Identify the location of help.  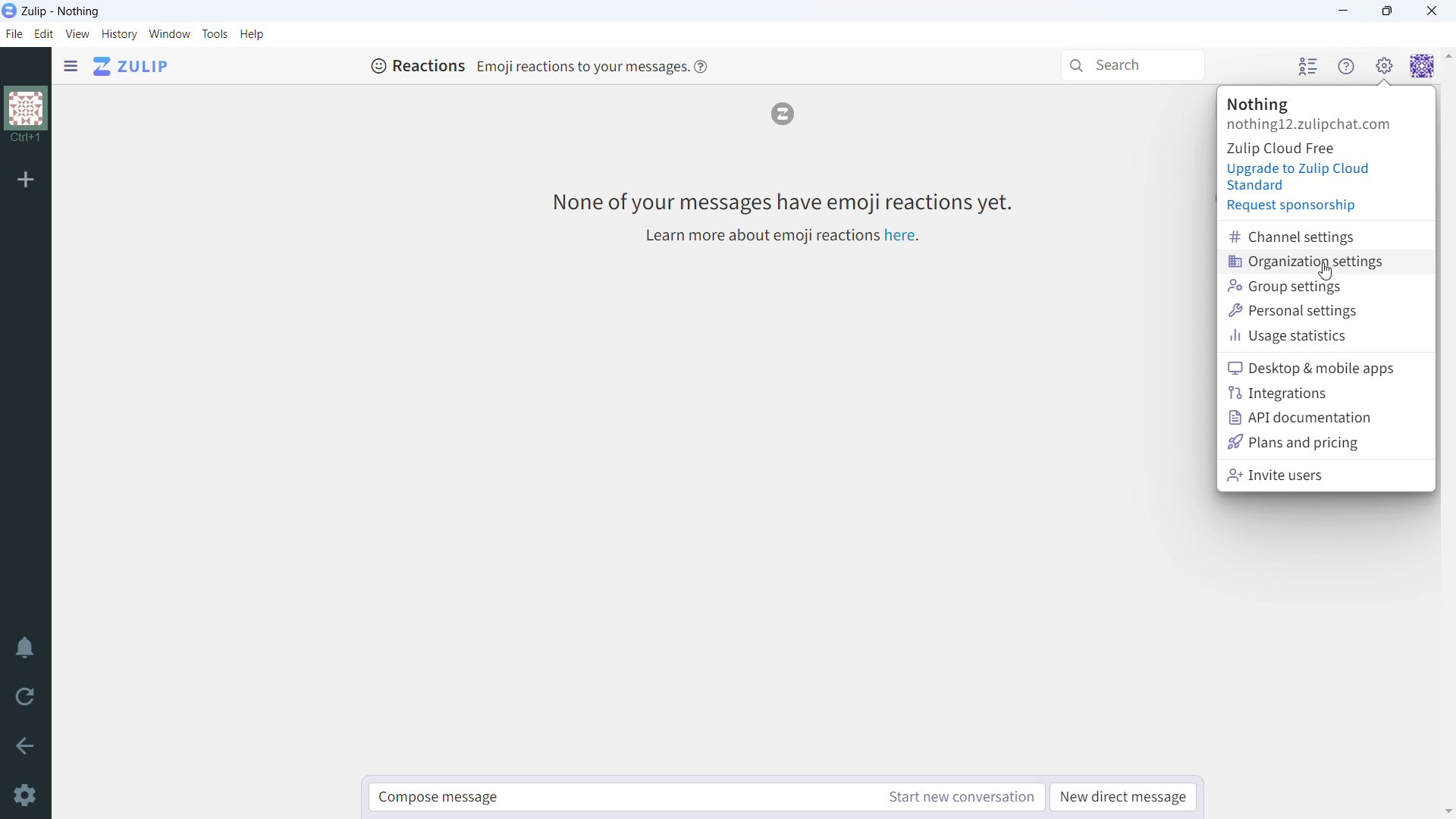
(252, 34).